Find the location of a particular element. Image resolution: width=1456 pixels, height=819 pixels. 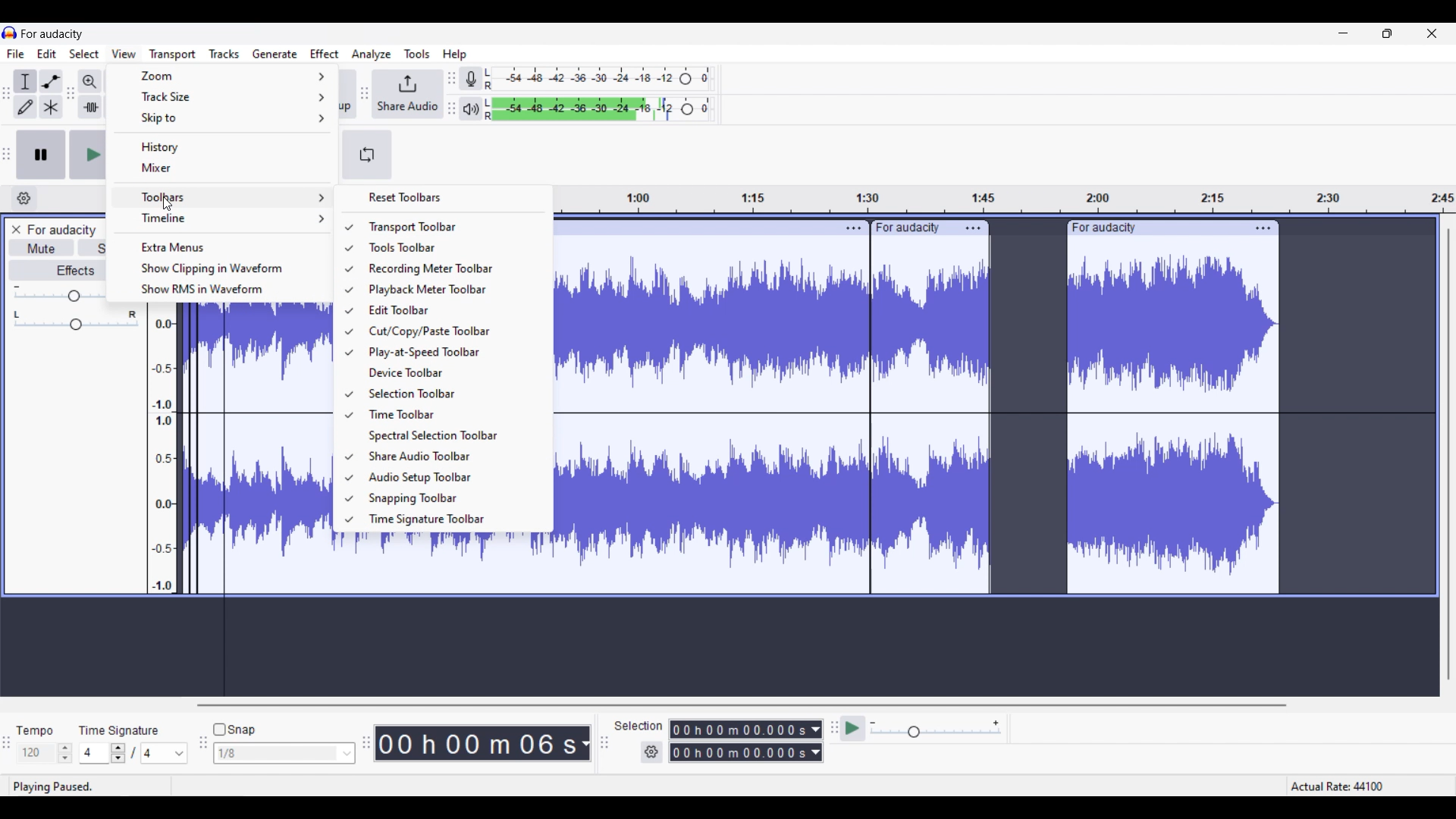

Checks indicate toolbar selected is located at coordinates (348, 373).